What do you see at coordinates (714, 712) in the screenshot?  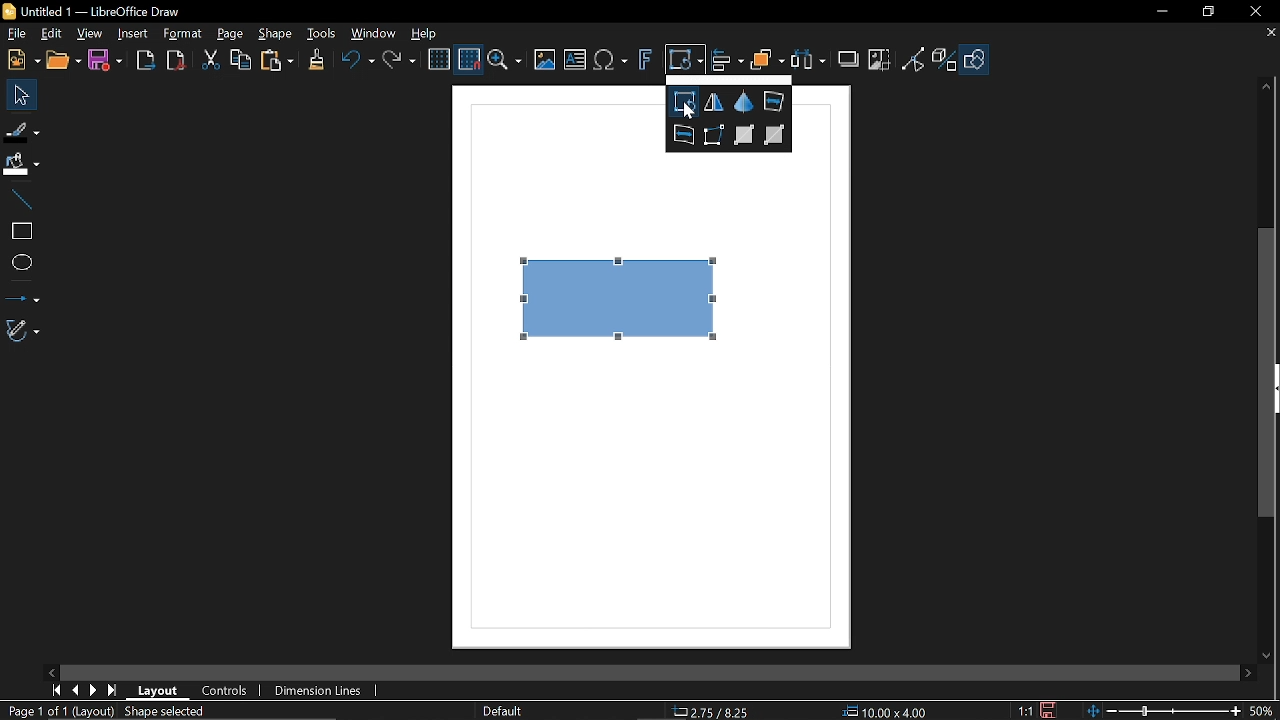 I see `2.75/8.25 (Cursor Position)` at bounding box center [714, 712].